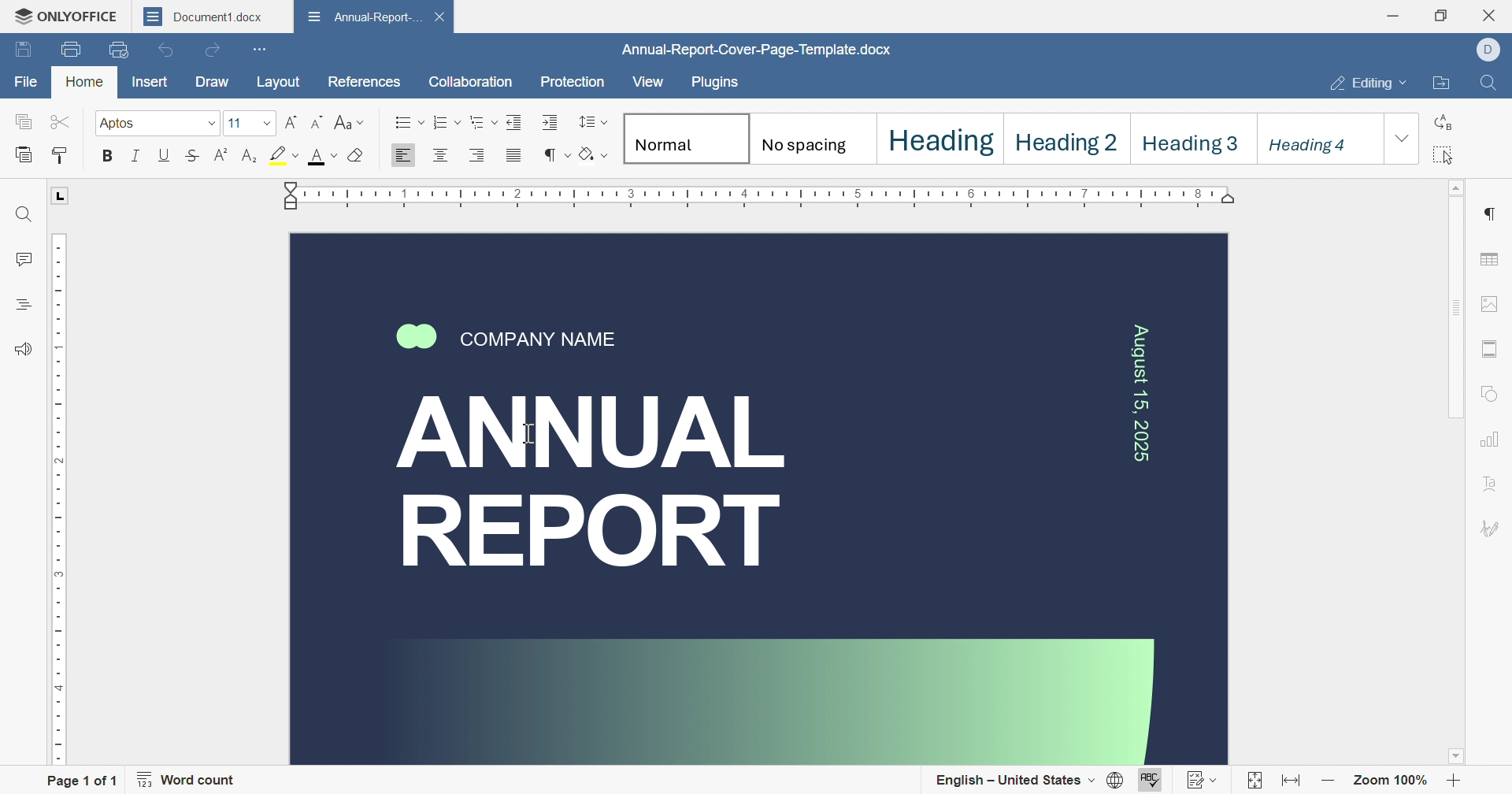  Describe the element at coordinates (513, 121) in the screenshot. I see `decrease indent` at that location.